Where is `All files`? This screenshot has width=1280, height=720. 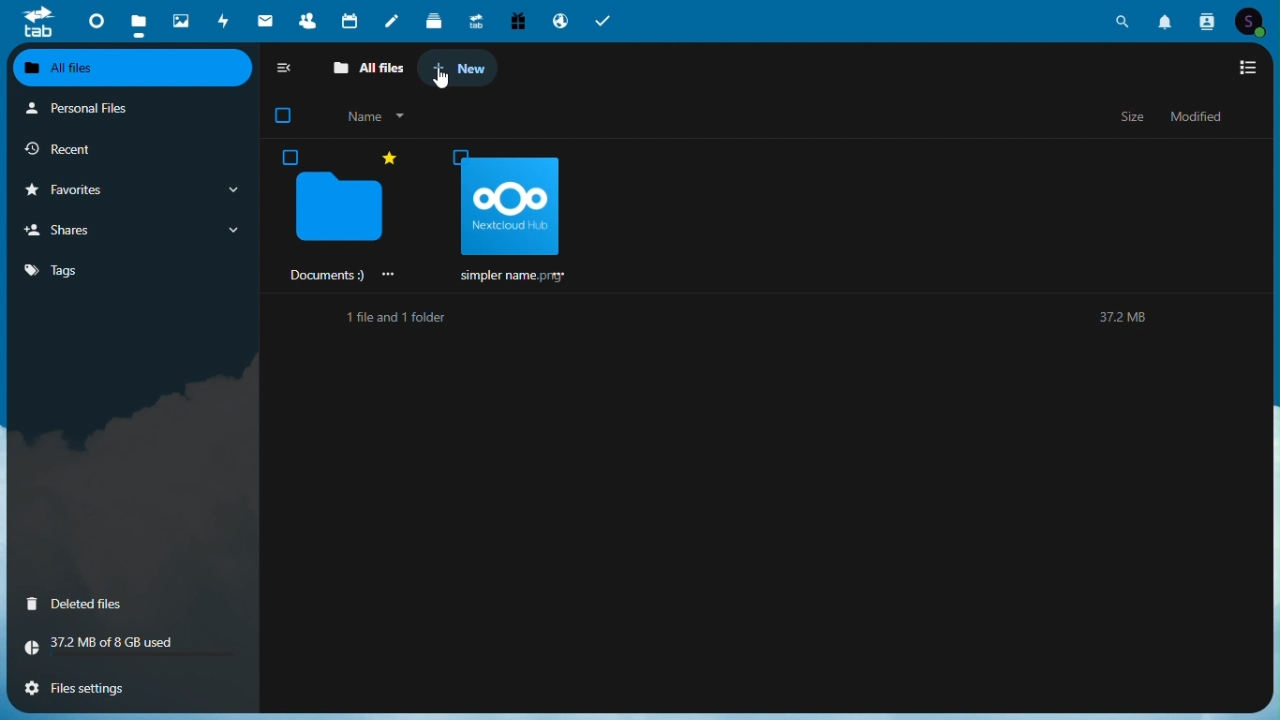 All files is located at coordinates (364, 66).